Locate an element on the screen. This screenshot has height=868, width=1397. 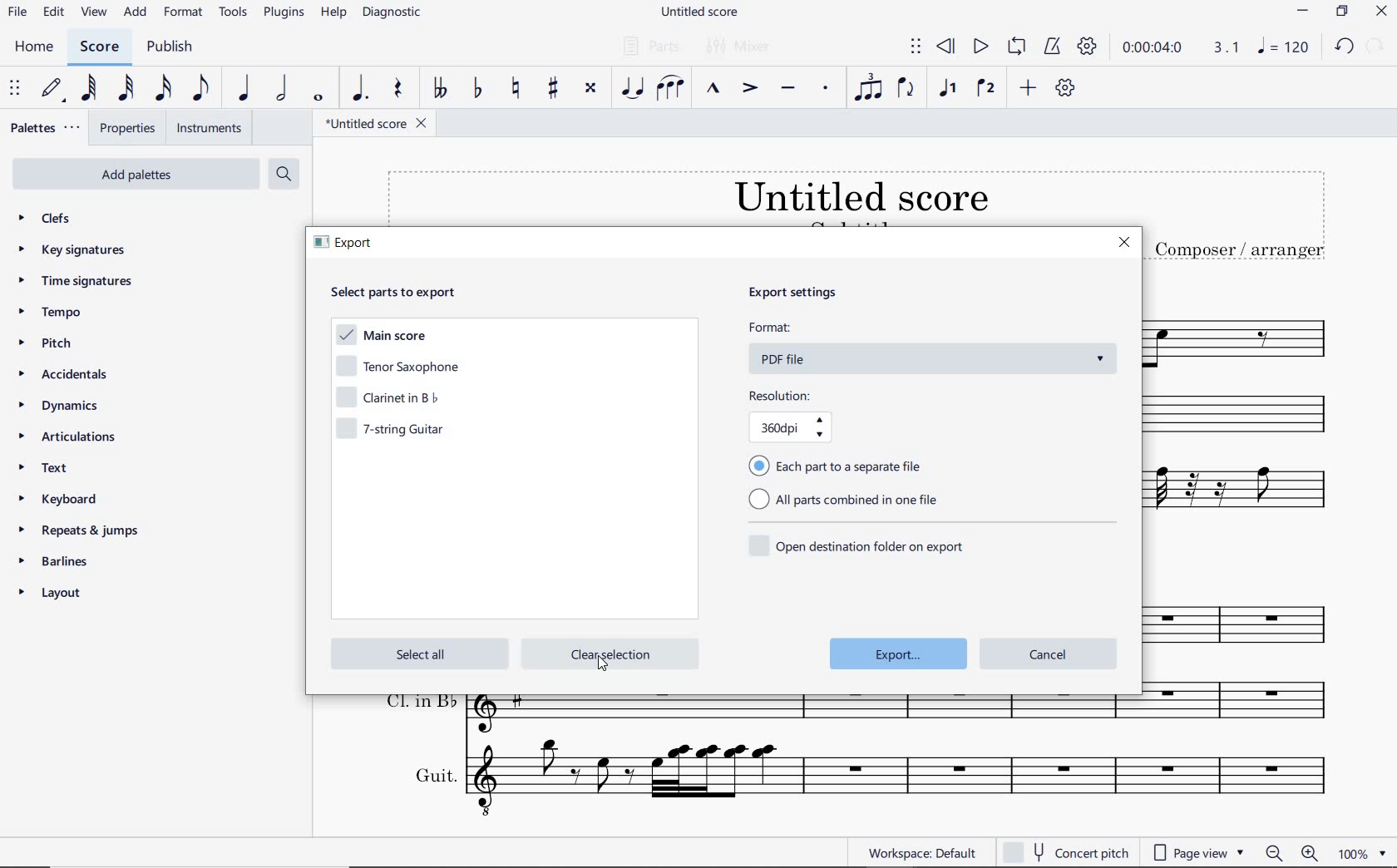
PLAY is located at coordinates (979, 46).